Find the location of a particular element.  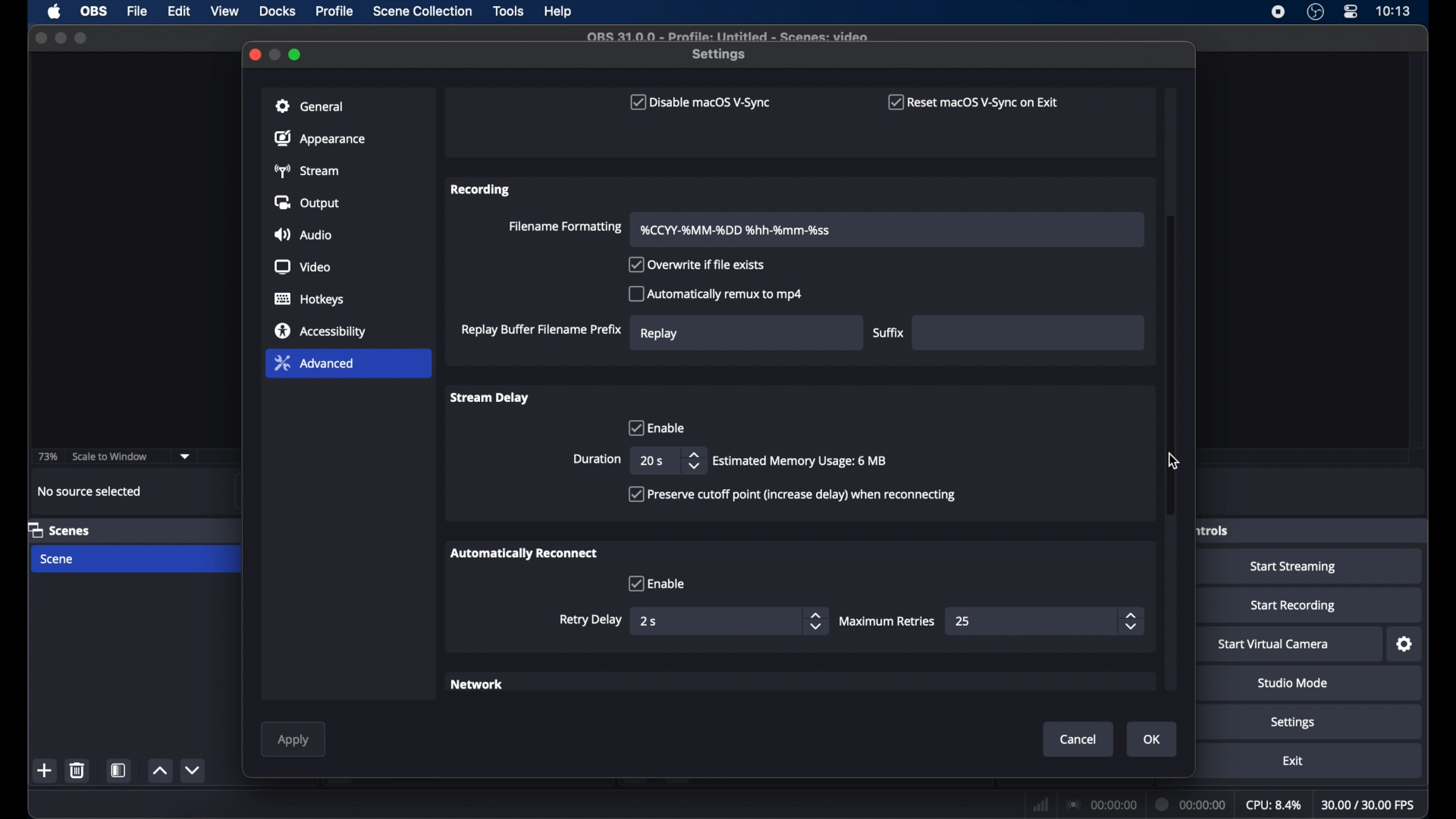

no source selected is located at coordinates (90, 491).